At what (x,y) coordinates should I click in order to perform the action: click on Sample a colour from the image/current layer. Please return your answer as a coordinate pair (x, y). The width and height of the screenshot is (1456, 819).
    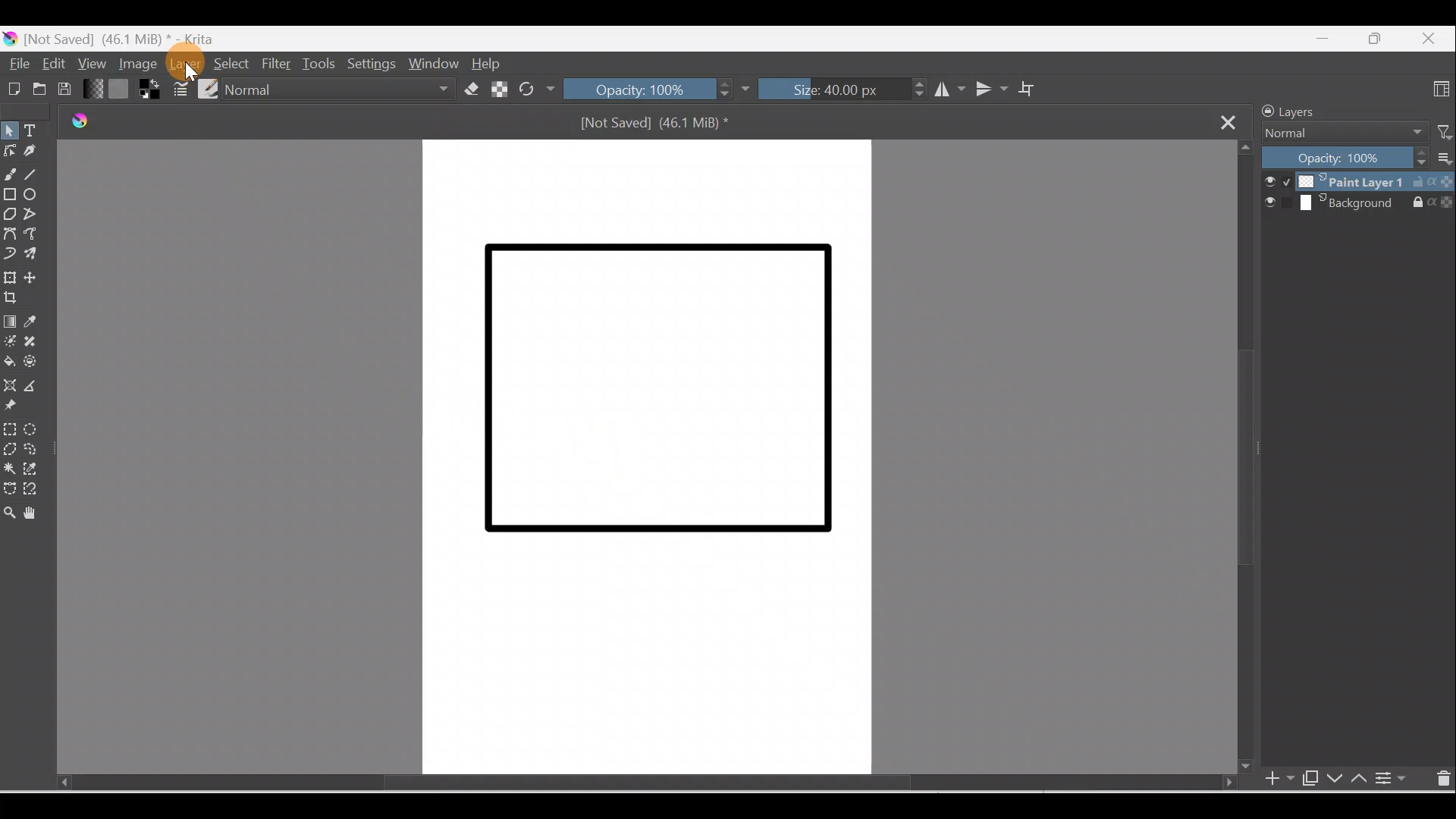
    Looking at the image, I should click on (42, 322).